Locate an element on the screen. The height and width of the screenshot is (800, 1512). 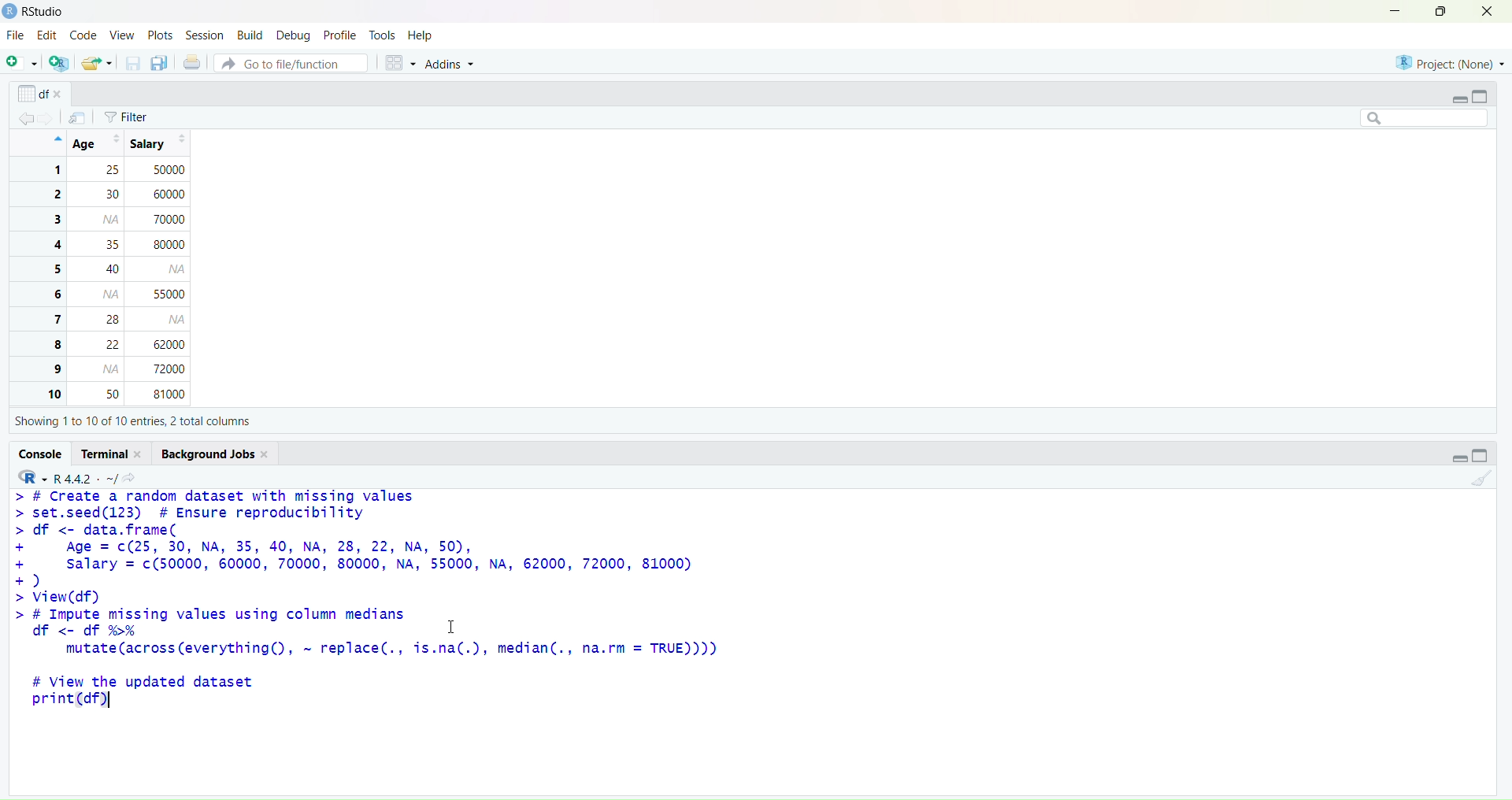
file is located at coordinates (16, 36).